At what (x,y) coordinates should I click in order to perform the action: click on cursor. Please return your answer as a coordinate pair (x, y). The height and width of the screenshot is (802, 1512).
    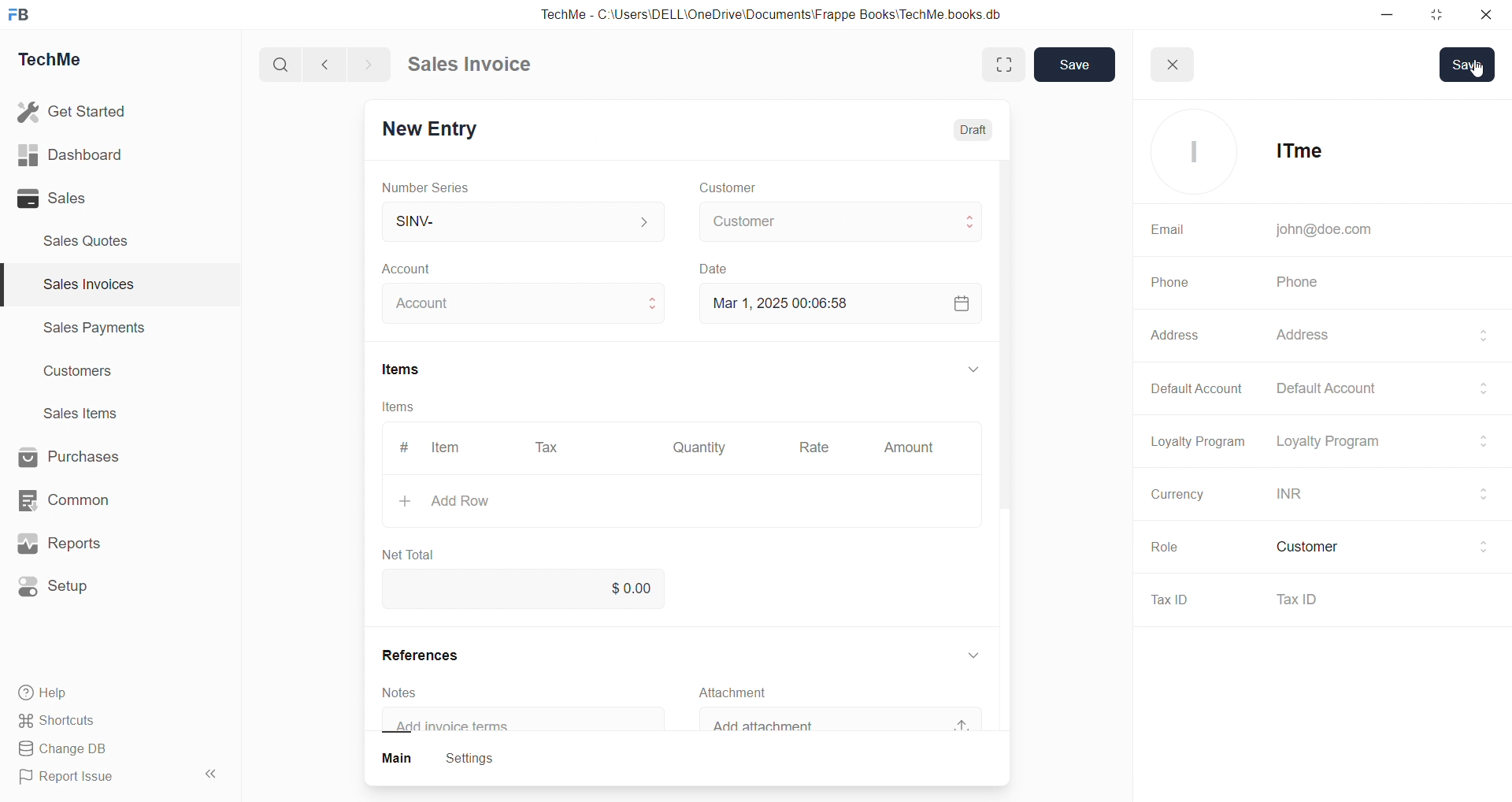
    Looking at the image, I should click on (1473, 76).